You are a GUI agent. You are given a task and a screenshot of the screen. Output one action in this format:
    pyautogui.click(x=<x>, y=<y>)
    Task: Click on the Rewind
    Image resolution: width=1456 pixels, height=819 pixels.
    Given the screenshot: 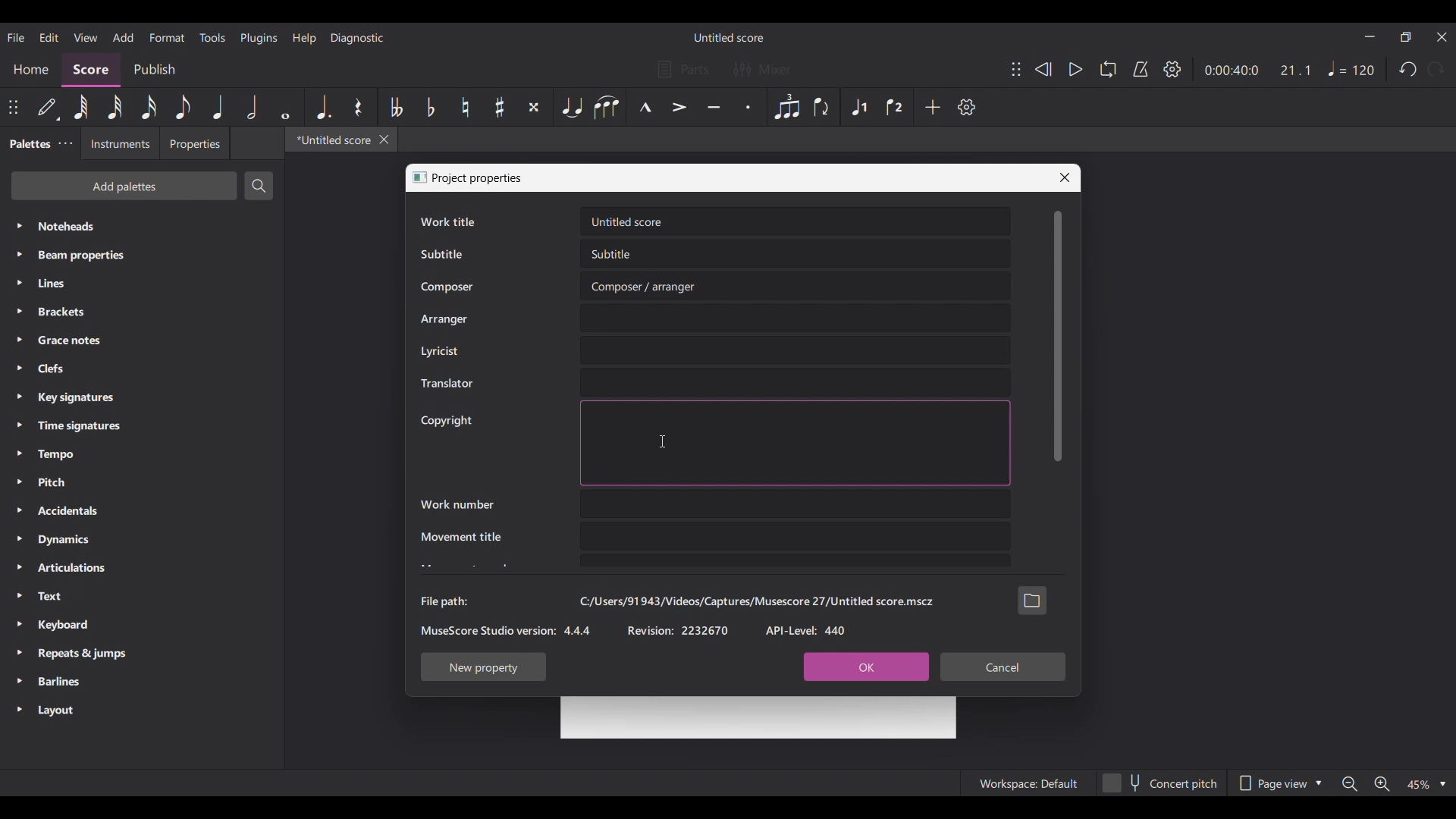 What is the action you would take?
    pyautogui.click(x=1043, y=69)
    